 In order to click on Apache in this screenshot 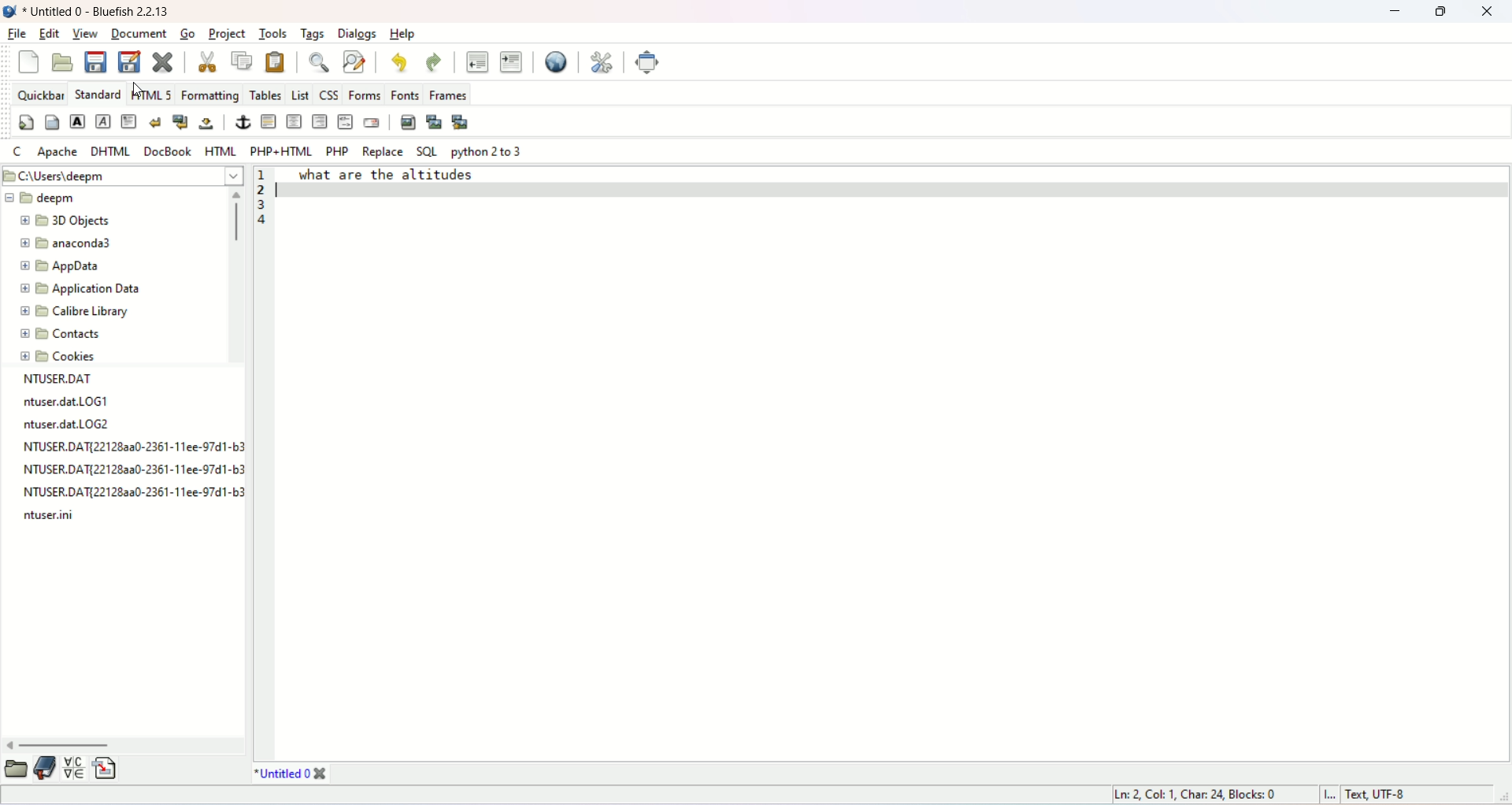, I will do `click(56, 152)`.